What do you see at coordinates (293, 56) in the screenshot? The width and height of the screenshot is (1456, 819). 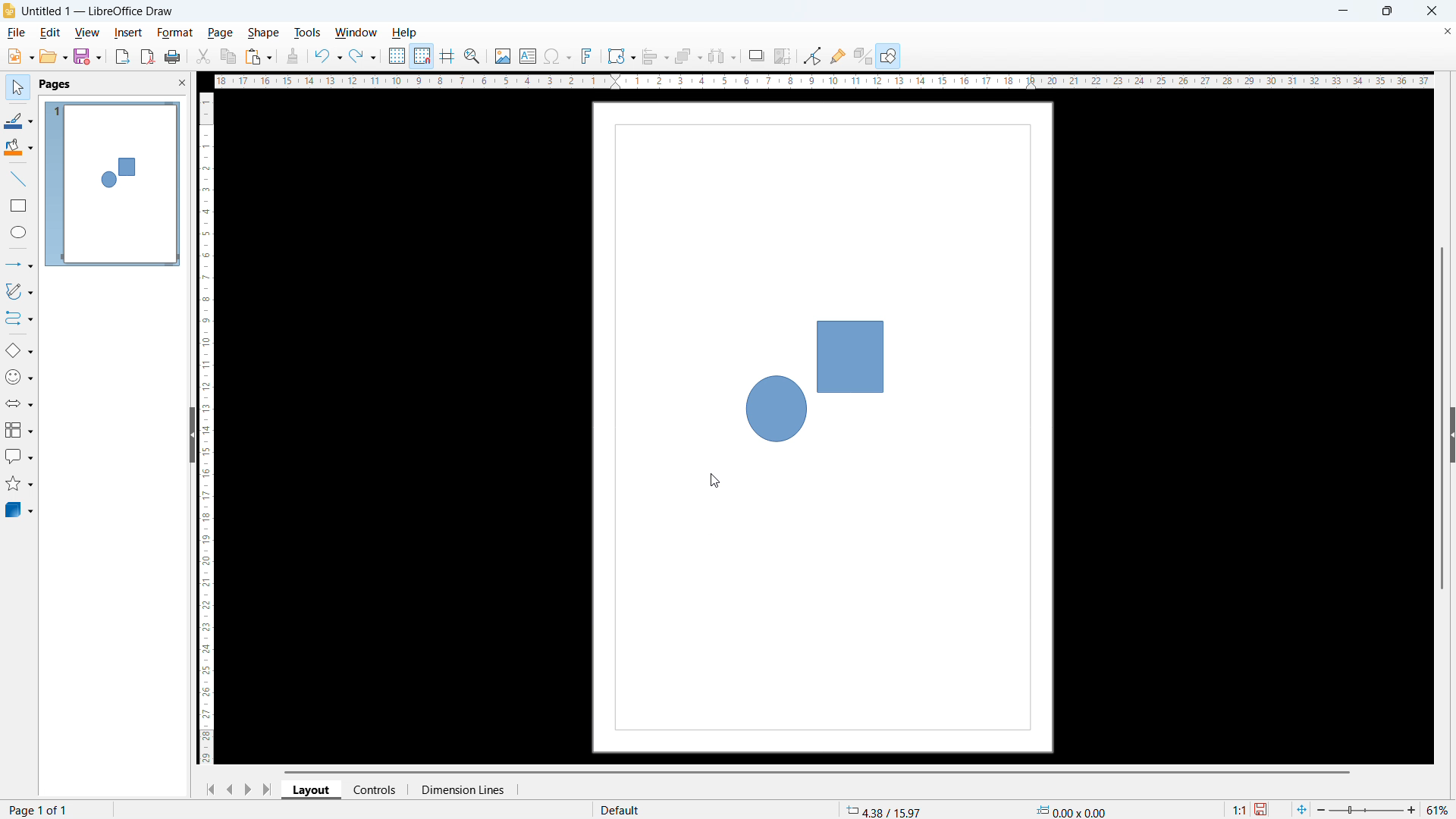 I see `clone formatting` at bounding box center [293, 56].